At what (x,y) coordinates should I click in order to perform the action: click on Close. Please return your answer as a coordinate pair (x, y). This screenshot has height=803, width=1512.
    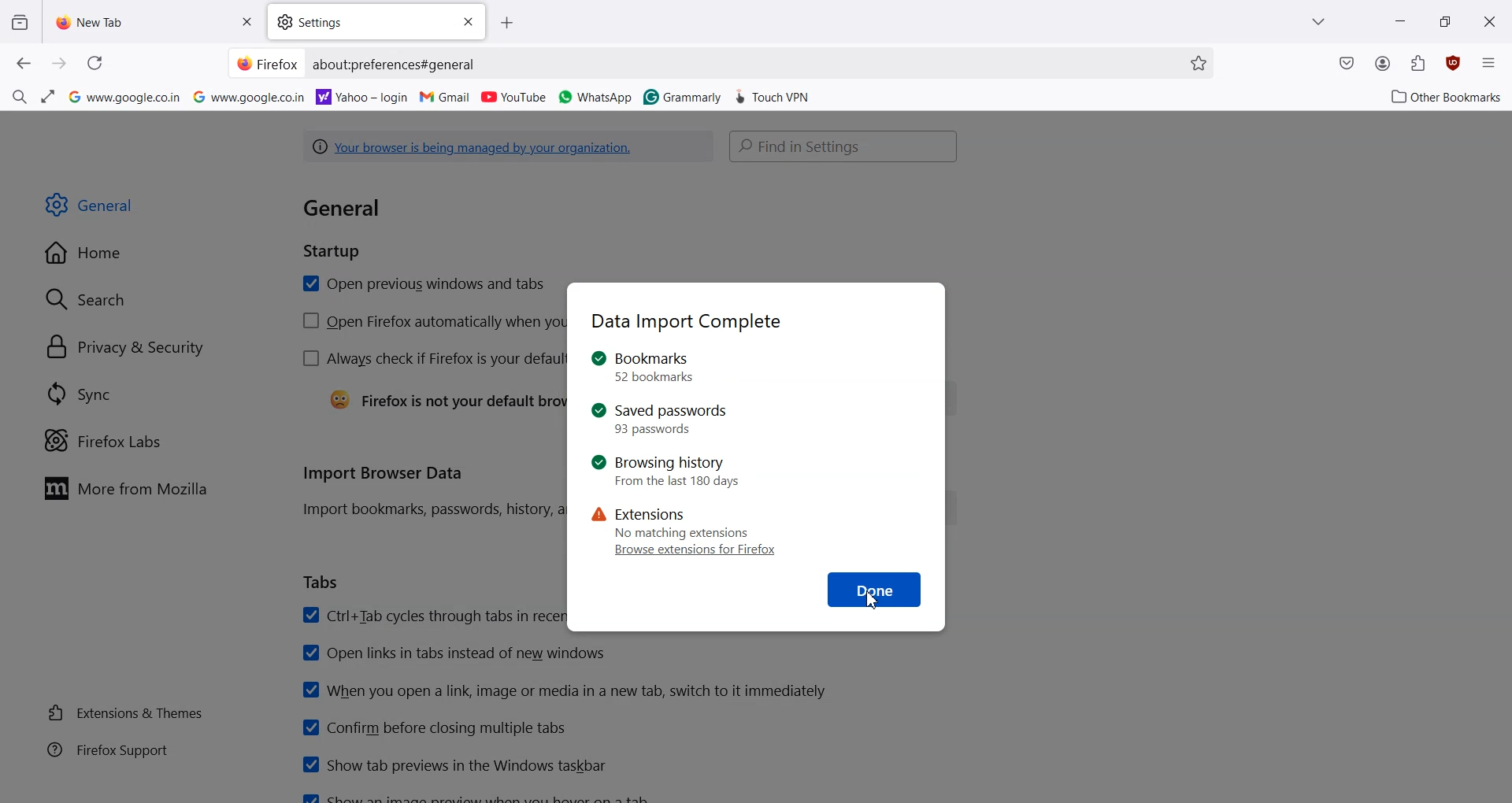
    Looking at the image, I should click on (465, 21).